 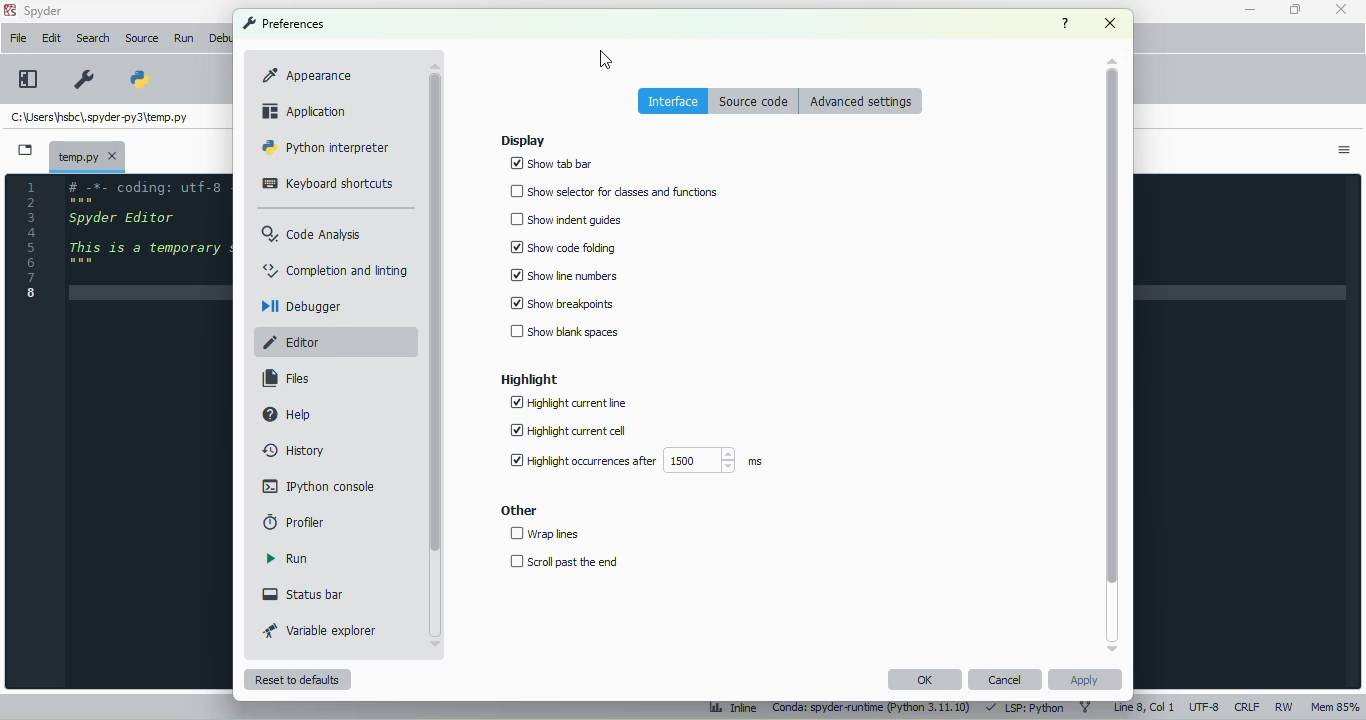 I want to click on UTF-8, so click(x=1205, y=707).